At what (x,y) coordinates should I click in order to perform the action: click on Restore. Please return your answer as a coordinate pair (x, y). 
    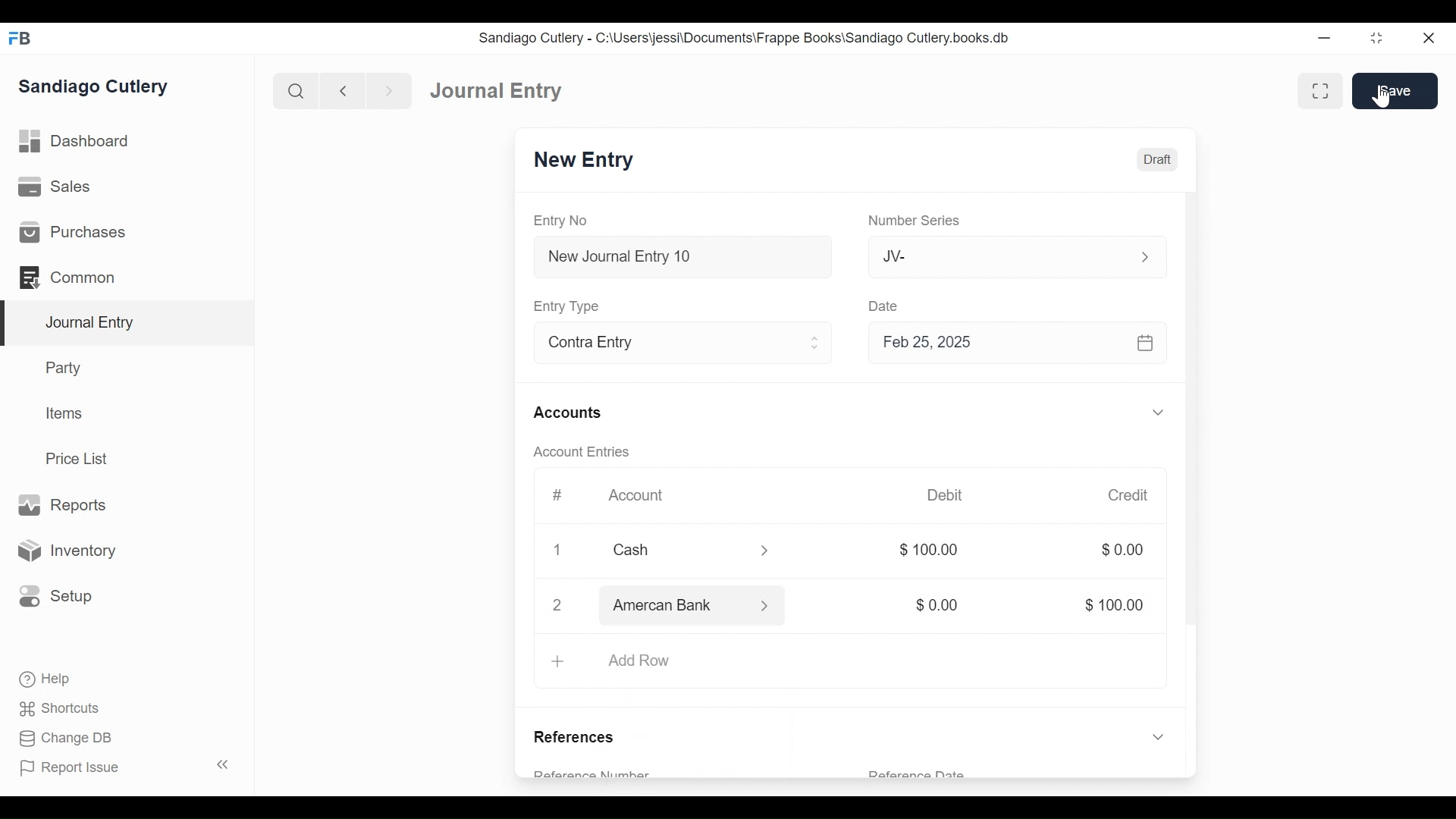
    Looking at the image, I should click on (1376, 39).